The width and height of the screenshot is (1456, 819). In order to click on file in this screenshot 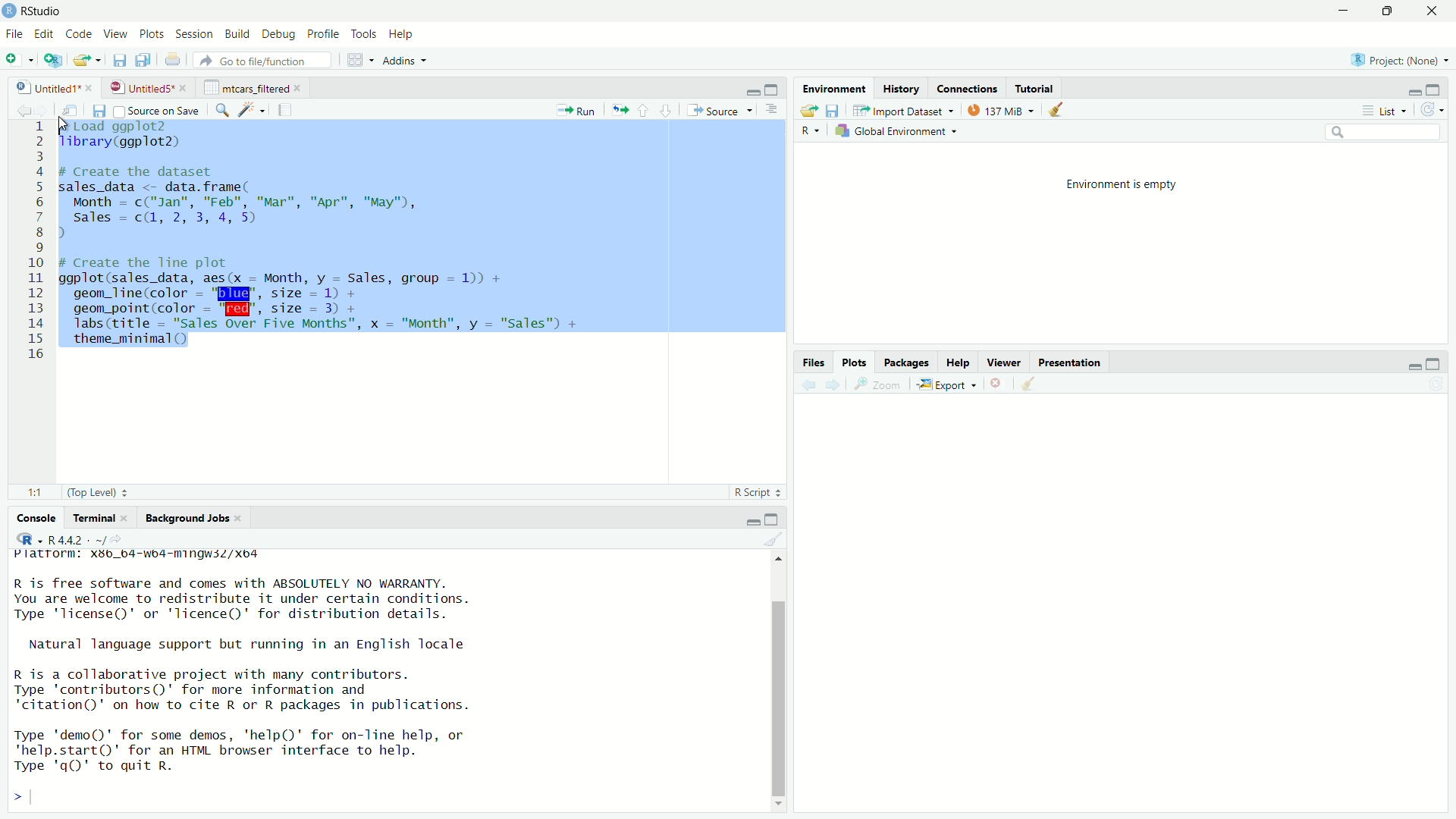, I will do `click(15, 34)`.